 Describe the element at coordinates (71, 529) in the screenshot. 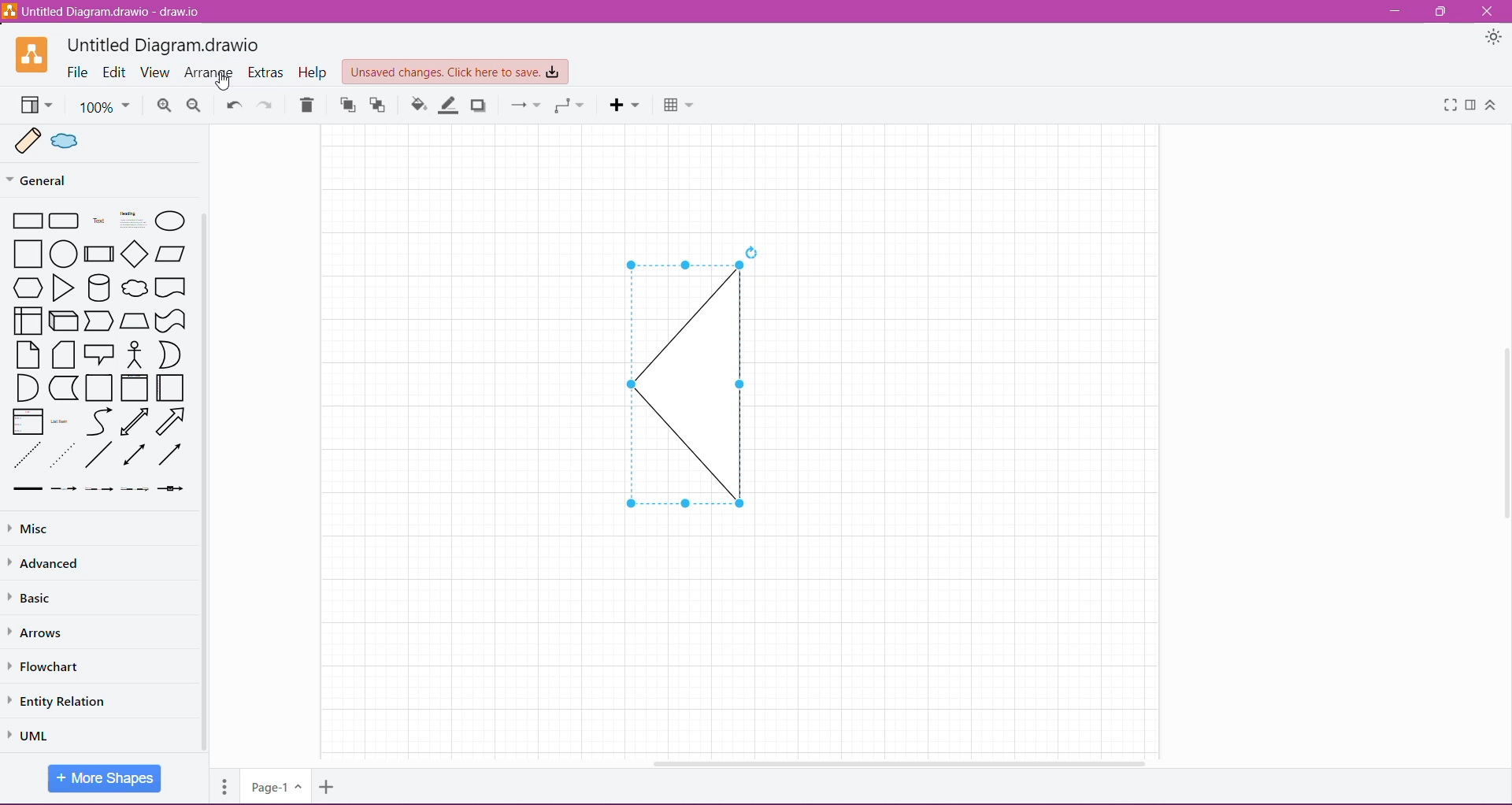

I see `Misc` at that location.